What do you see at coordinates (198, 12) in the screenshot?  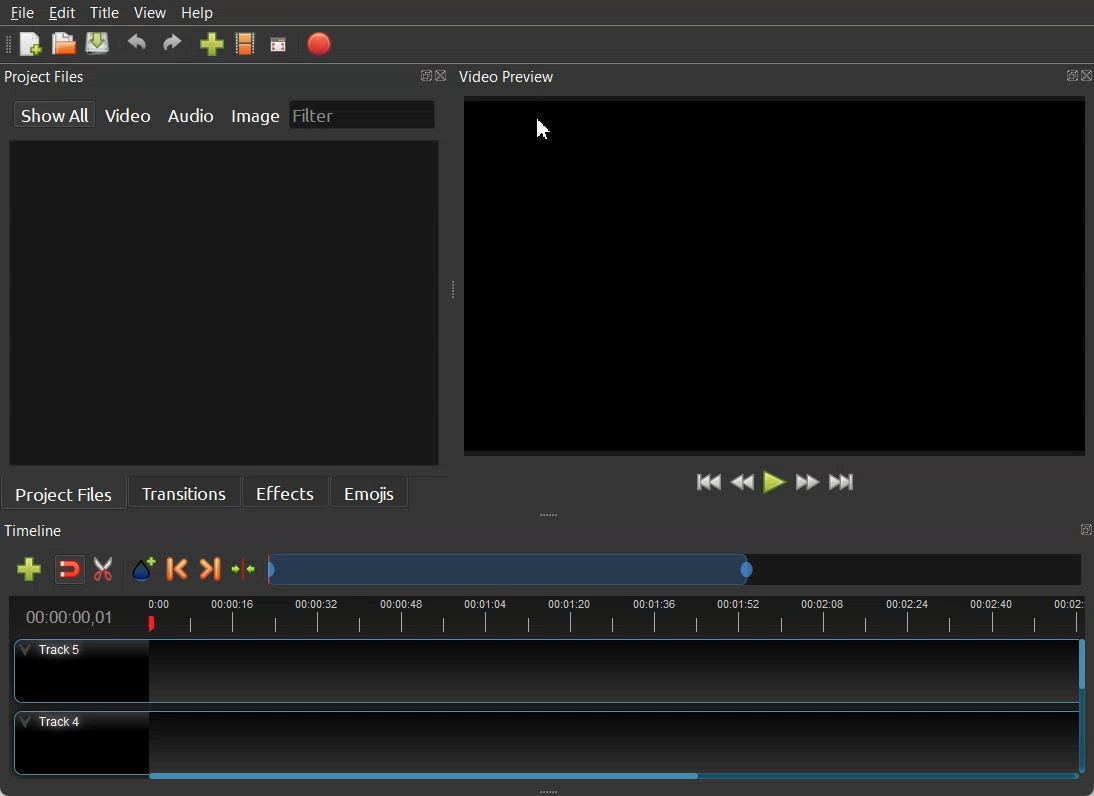 I see `Help` at bounding box center [198, 12].